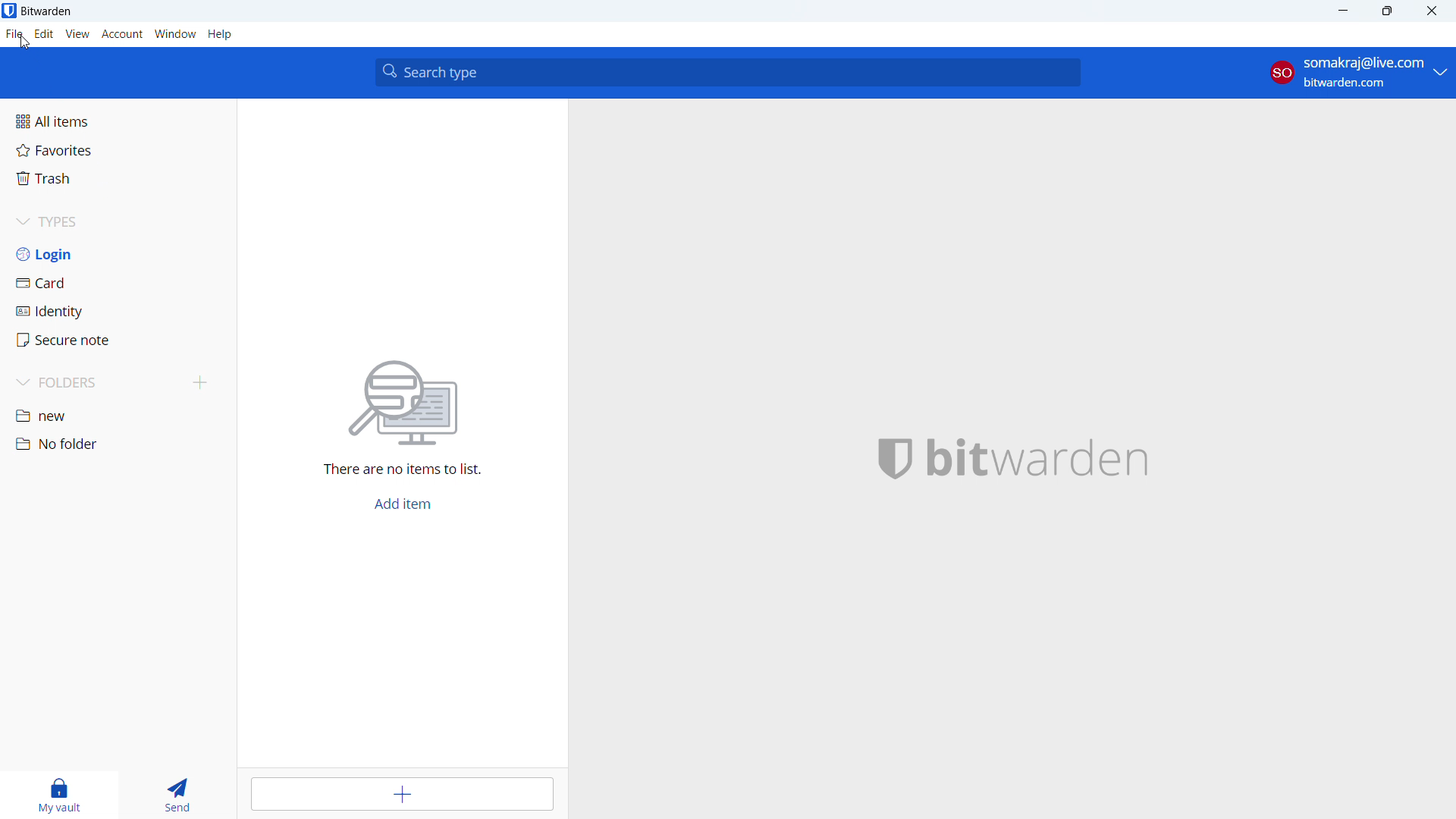 The image size is (1456, 819). I want to click on search type, so click(728, 73).